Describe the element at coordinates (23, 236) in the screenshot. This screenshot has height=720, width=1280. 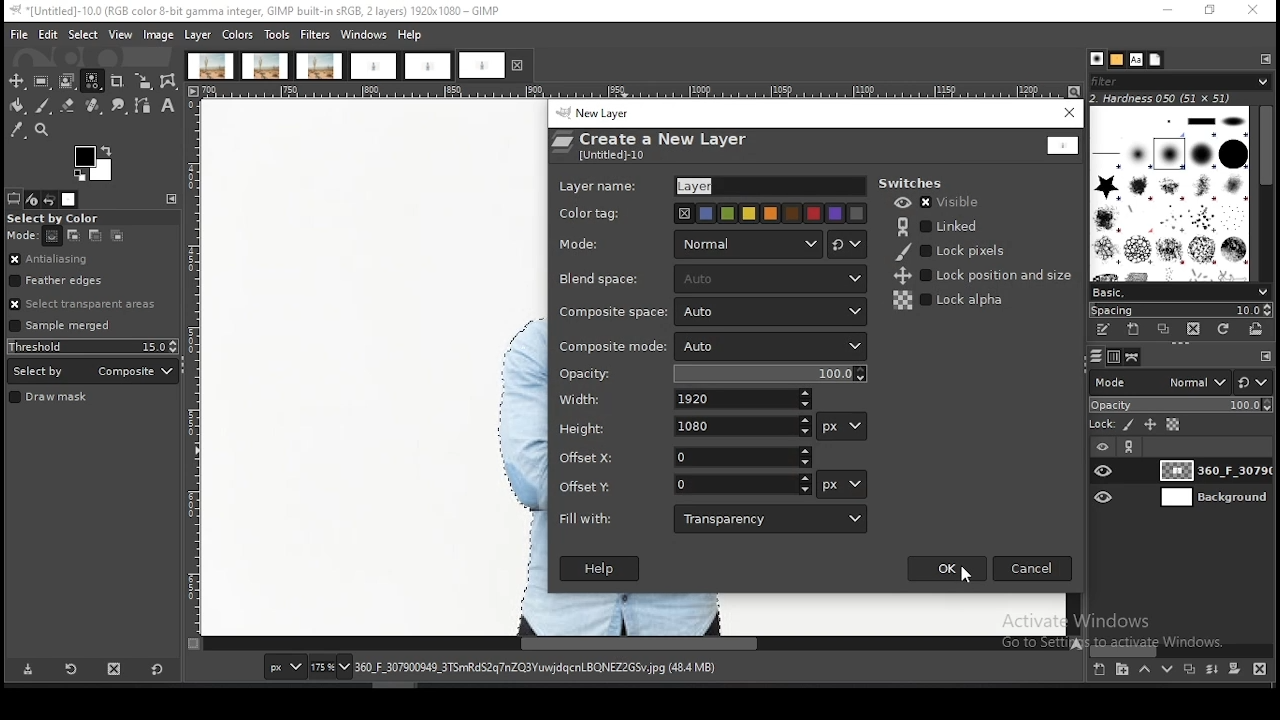
I see `mode:` at that location.